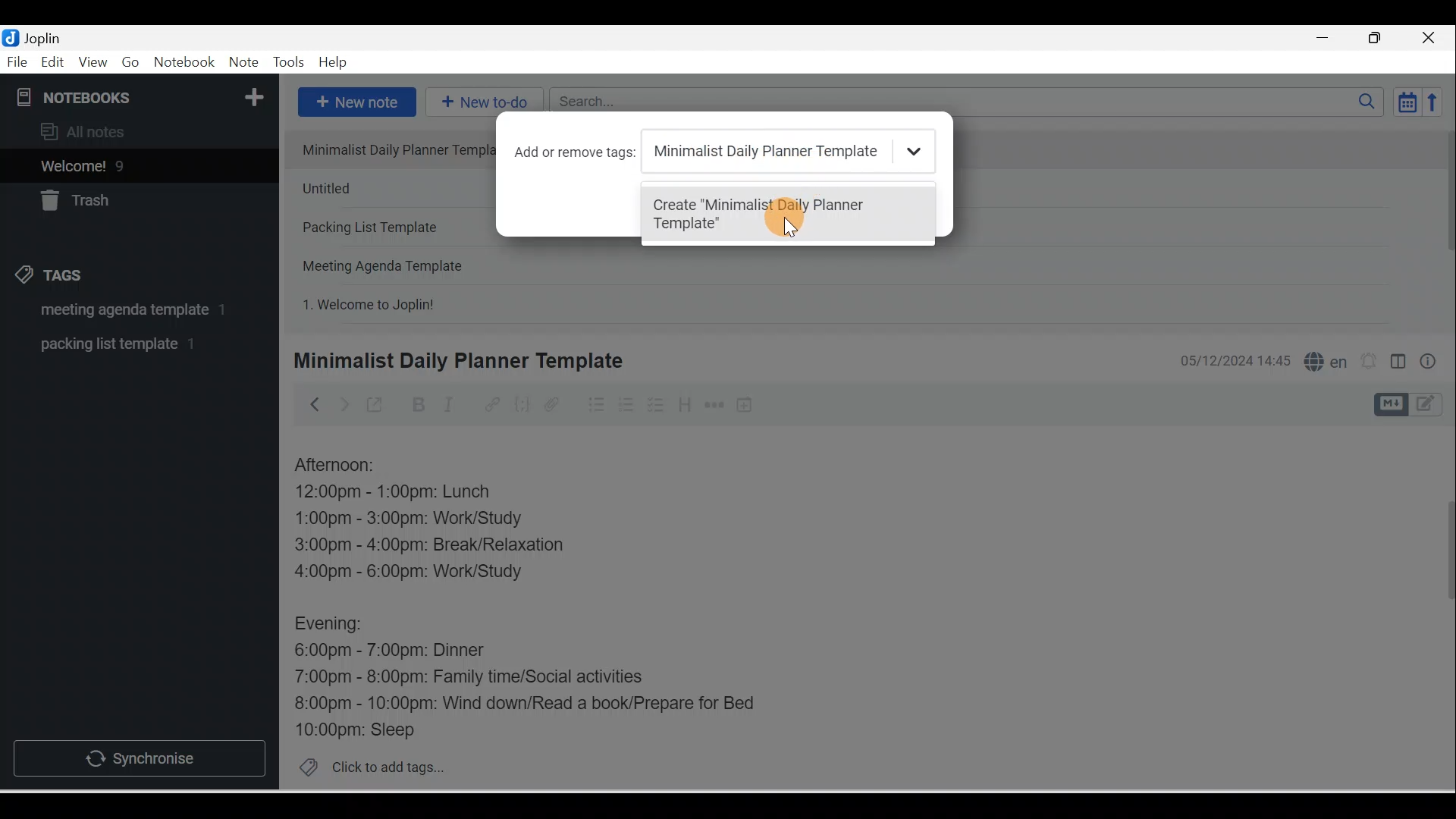  What do you see at coordinates (776, 216) in the screenshot?
I see `Create "Minimalist Daily Planner Template"` at bounding box center [776, 216].